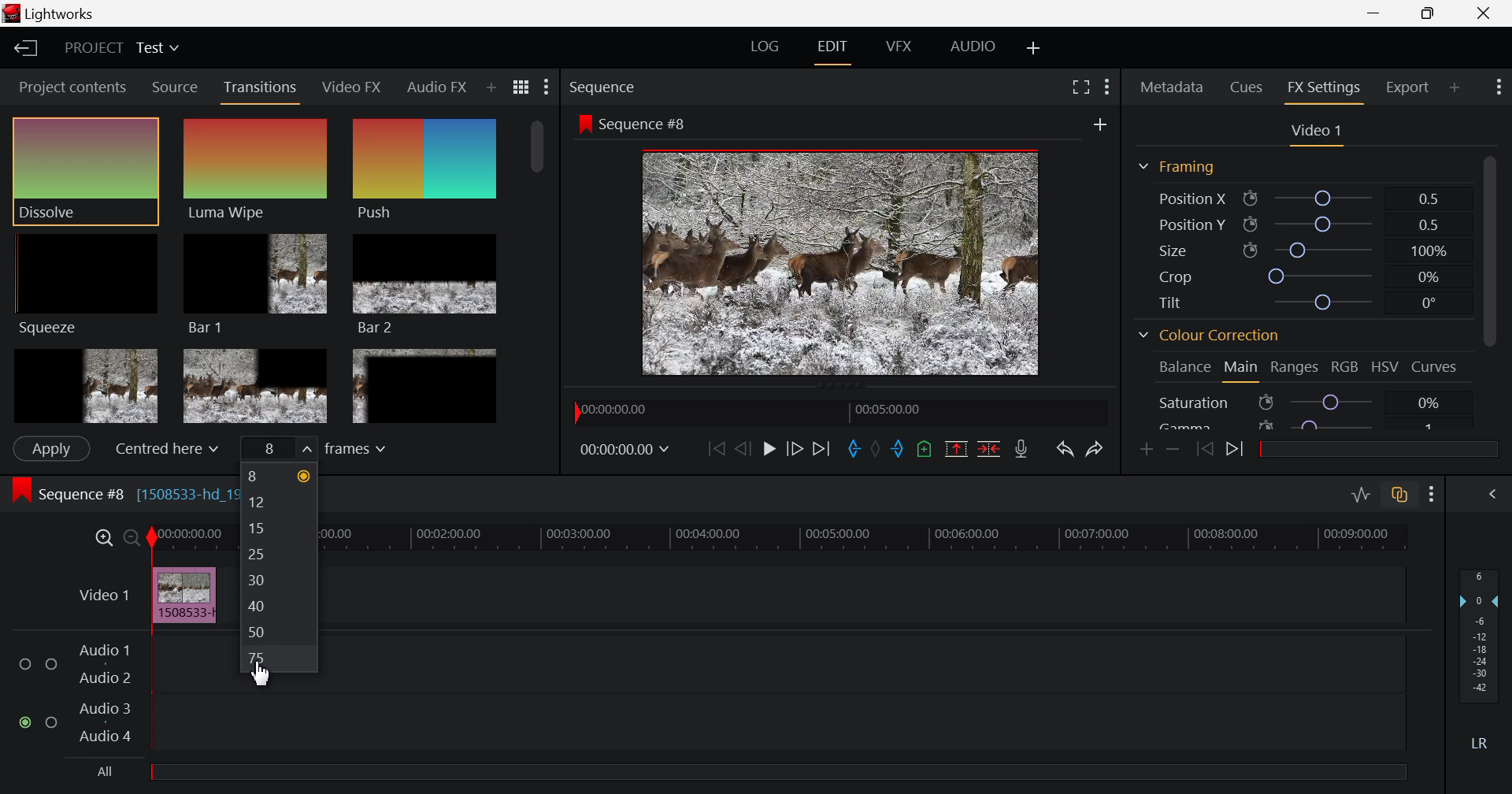 The height and width of the screenshot is (794, 1512). Describe the element at coordinates (86, 384) in the screenshot. I see `Box 1` at that location.